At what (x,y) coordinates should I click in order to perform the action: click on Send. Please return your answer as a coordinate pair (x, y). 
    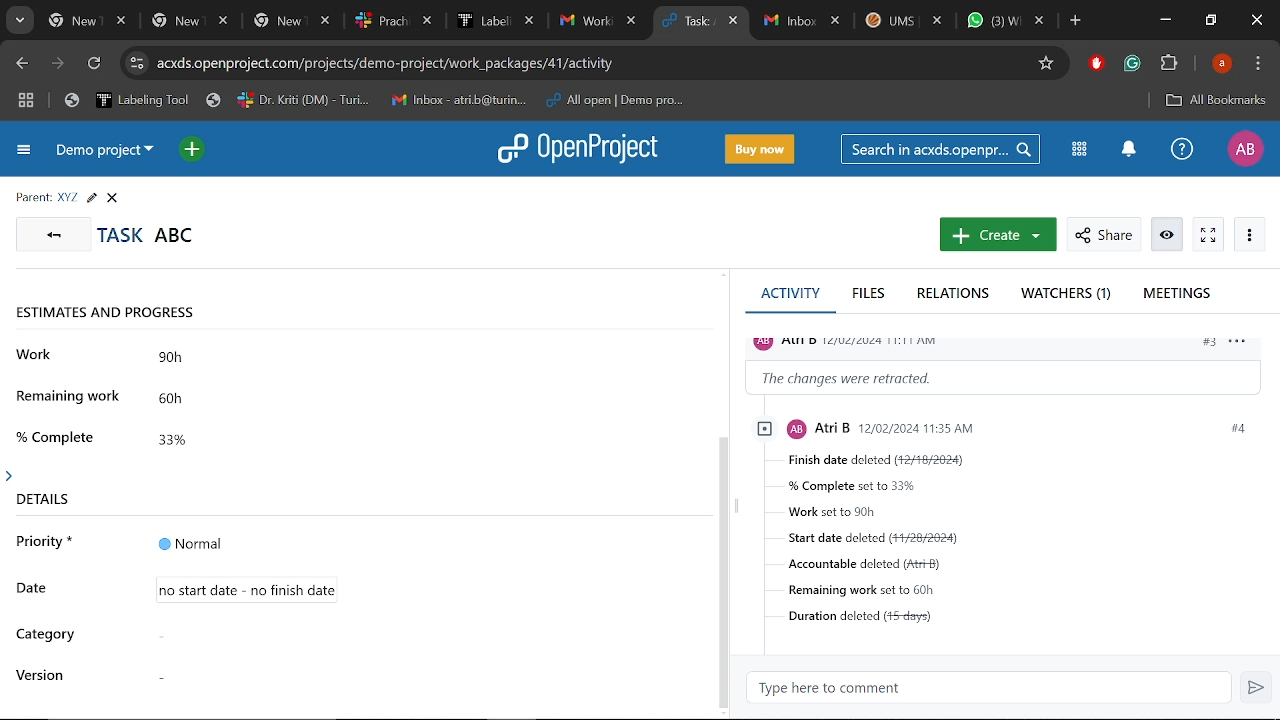
    Looking at the image, I should click on (1255, 687).